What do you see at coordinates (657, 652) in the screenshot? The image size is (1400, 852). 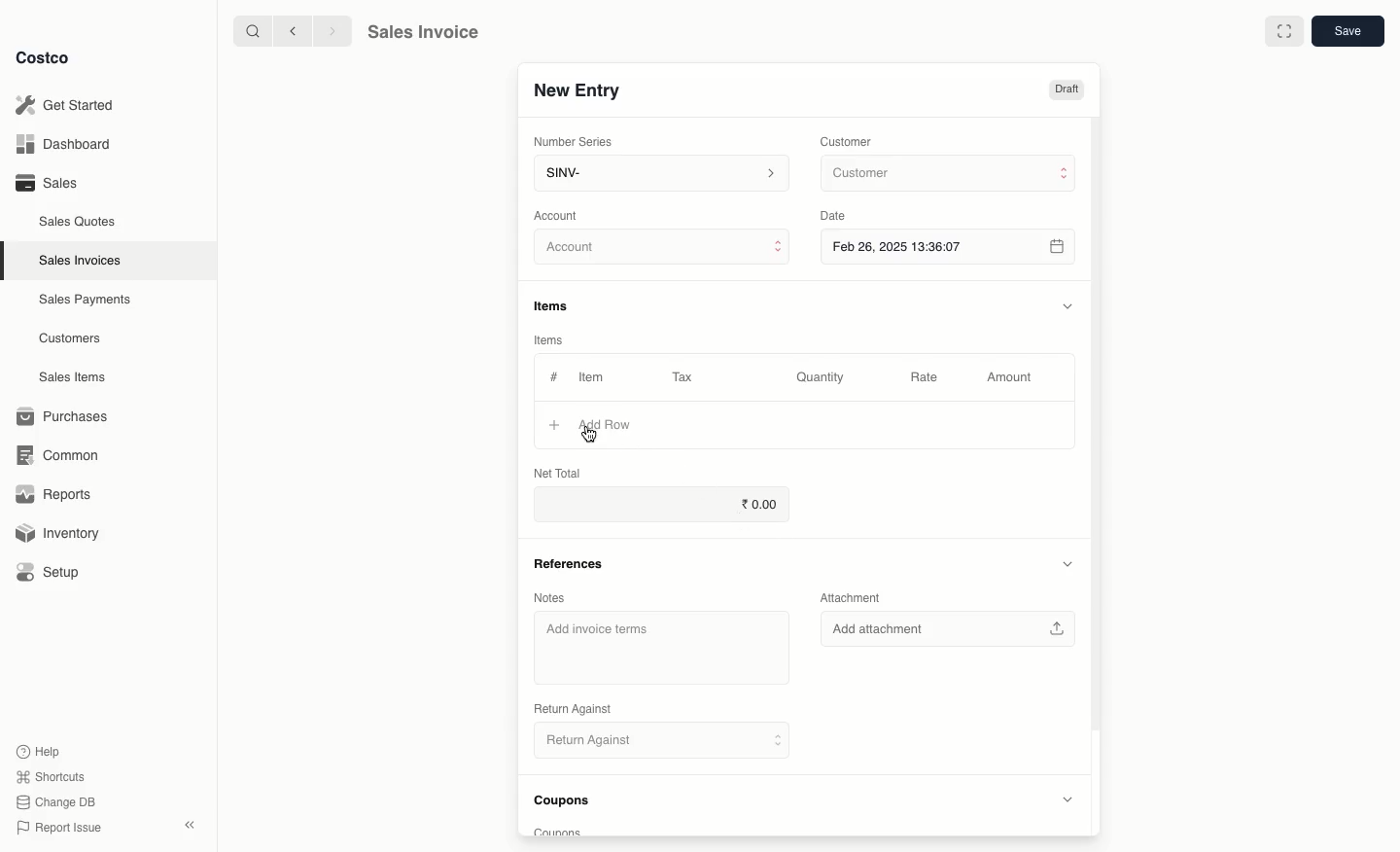 I see `‘Add invoice terms` at bounding box center [657, 652].